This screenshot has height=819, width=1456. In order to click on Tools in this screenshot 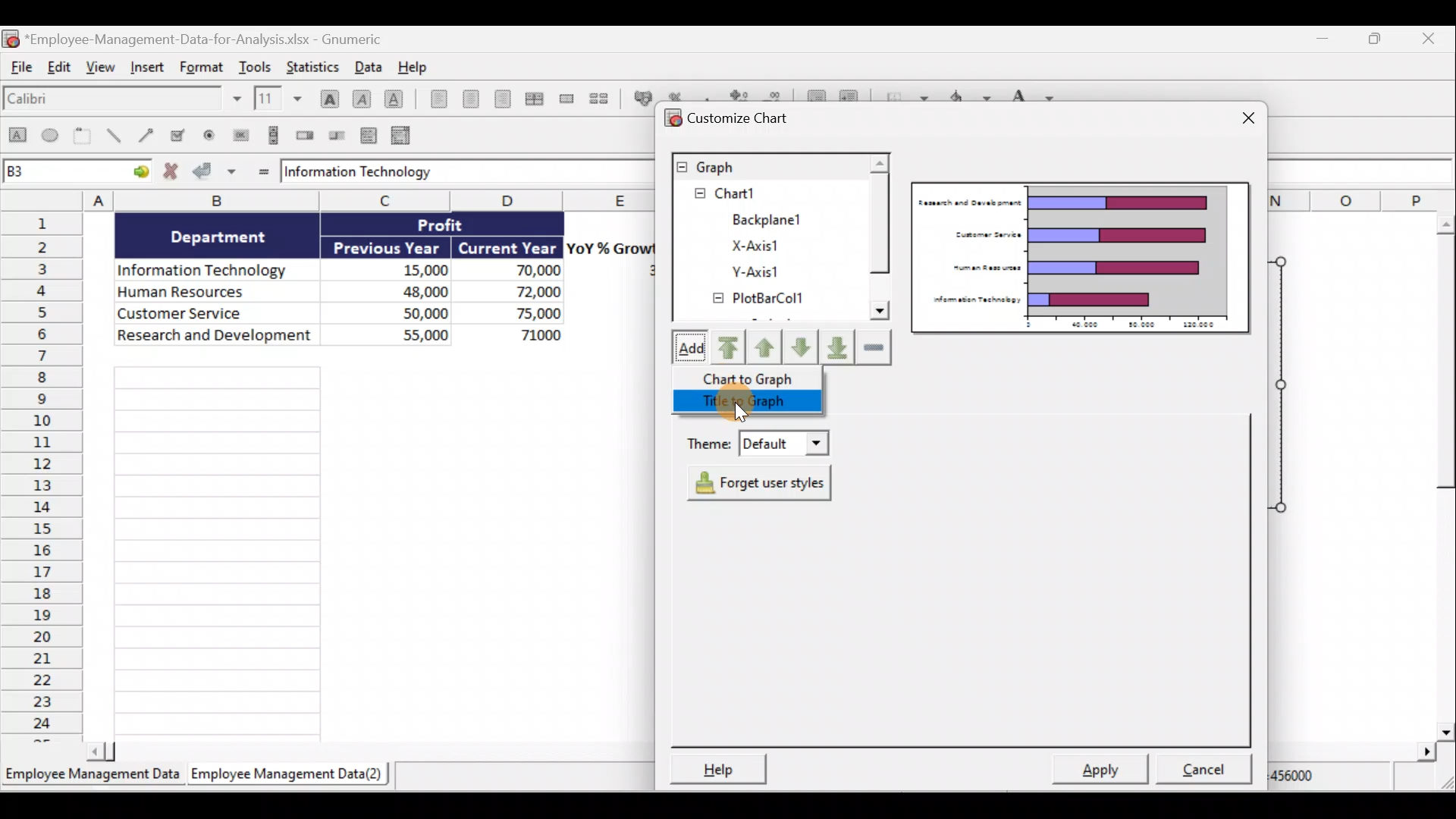, I will do `click(258, 65)`.